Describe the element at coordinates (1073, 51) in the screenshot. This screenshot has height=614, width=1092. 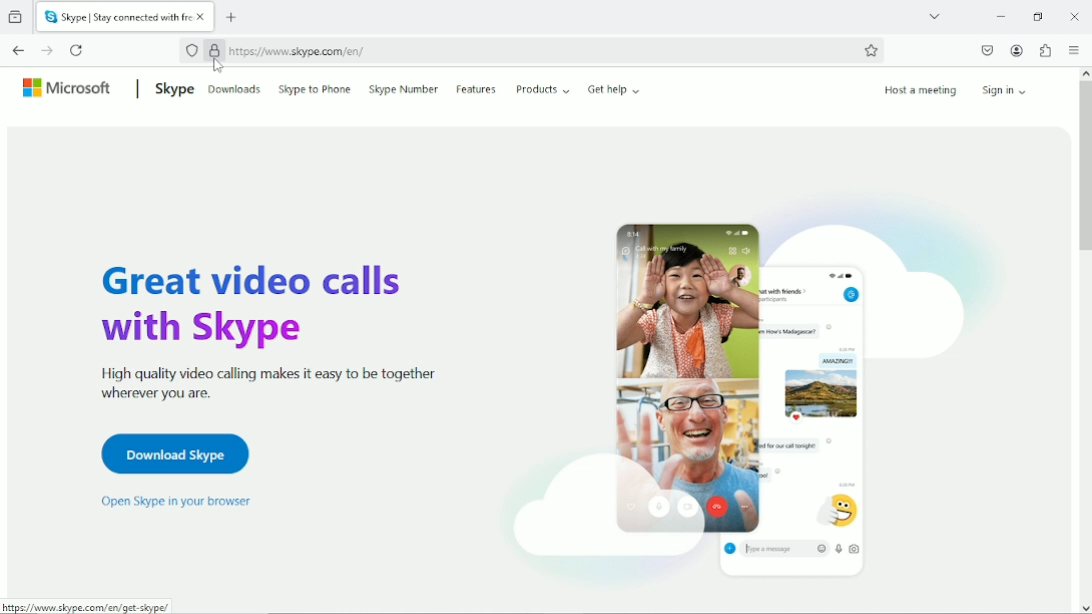
I see `open application menu` at that location.